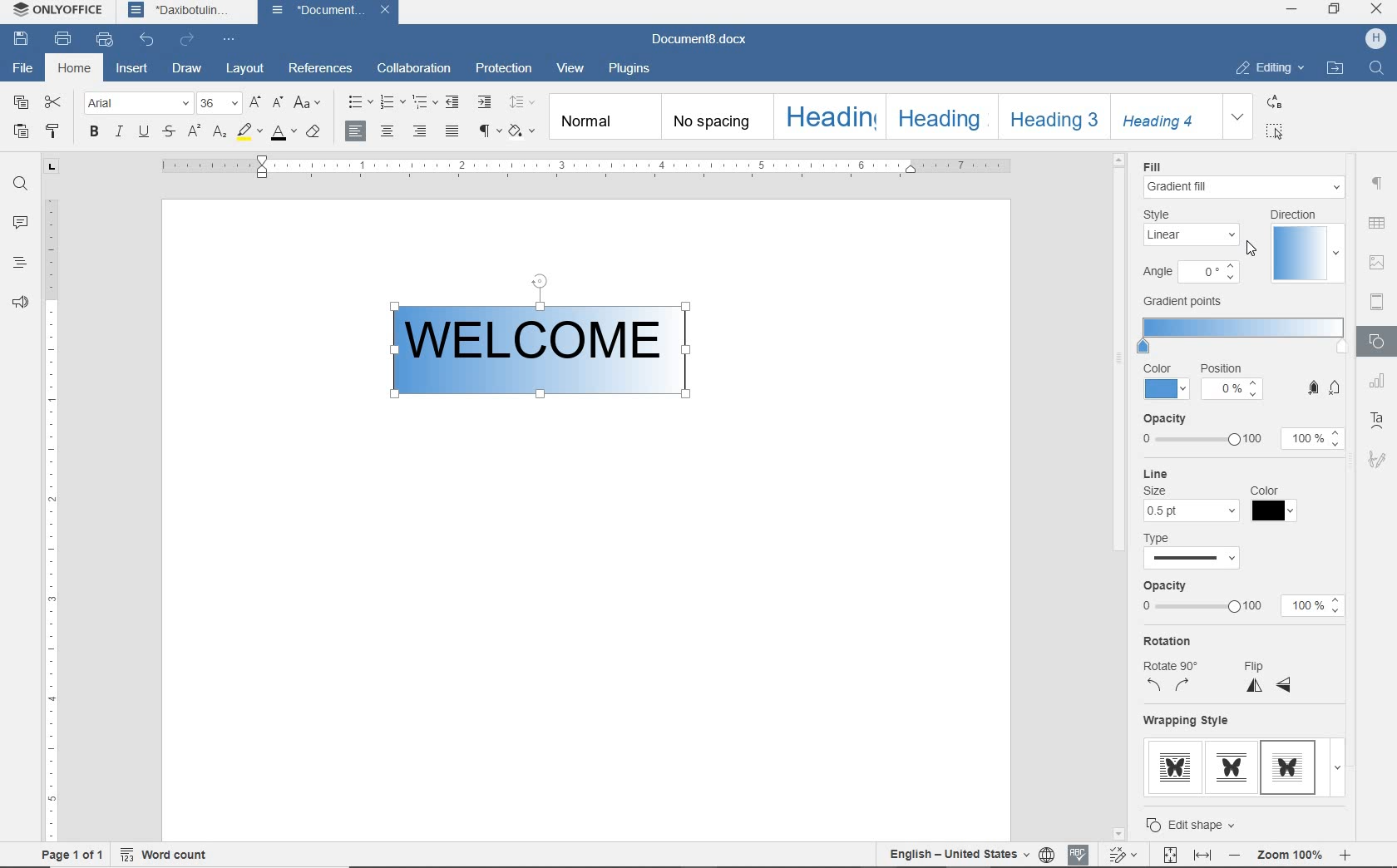 This screenshot has width=1397, height=868. What do you see at coordinates (1291, 855) in the screenshot?
I see `Zoom 100%` at bounding box center [1291, 855].